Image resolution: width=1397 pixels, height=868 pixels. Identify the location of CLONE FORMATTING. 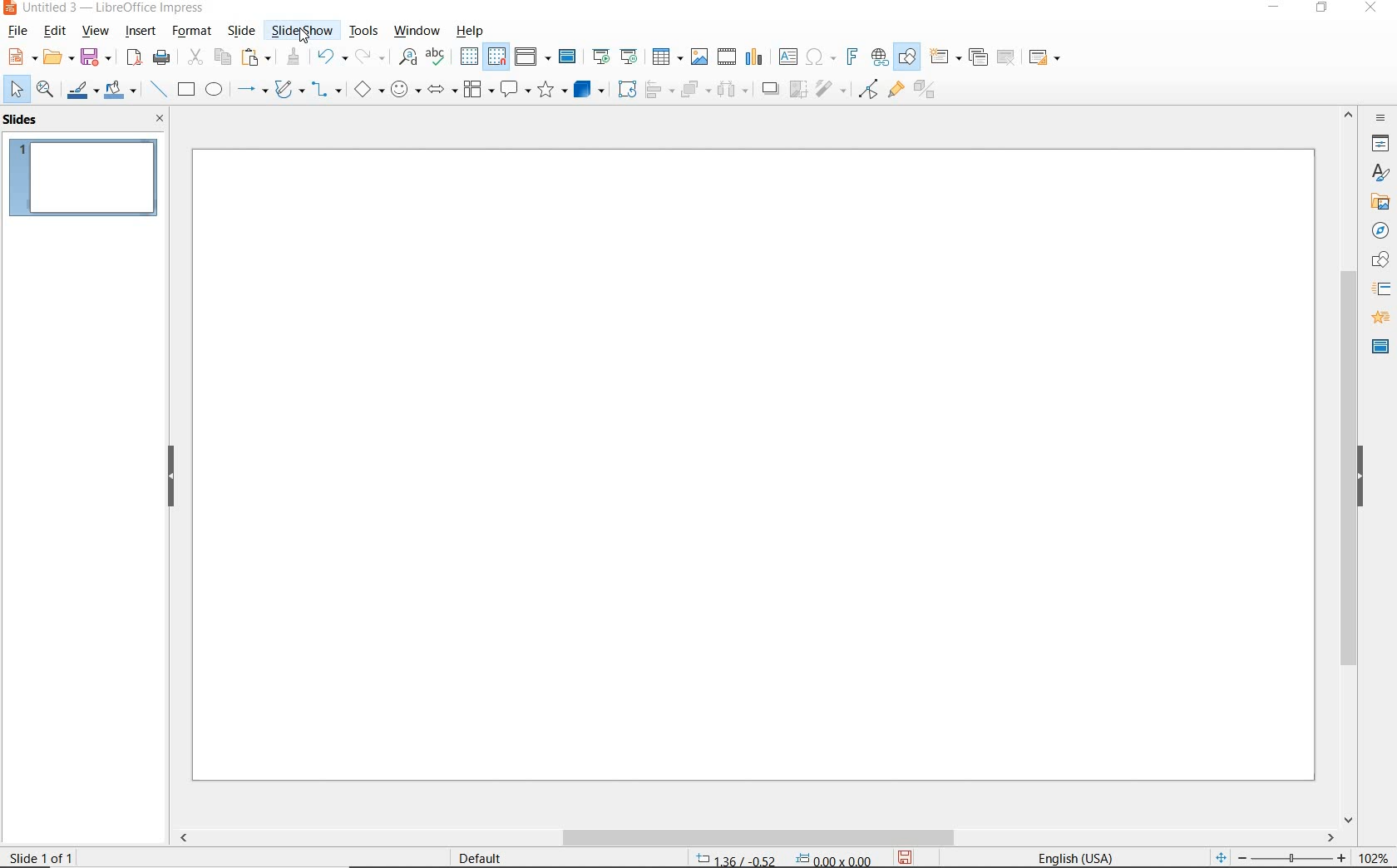
(294, 57).